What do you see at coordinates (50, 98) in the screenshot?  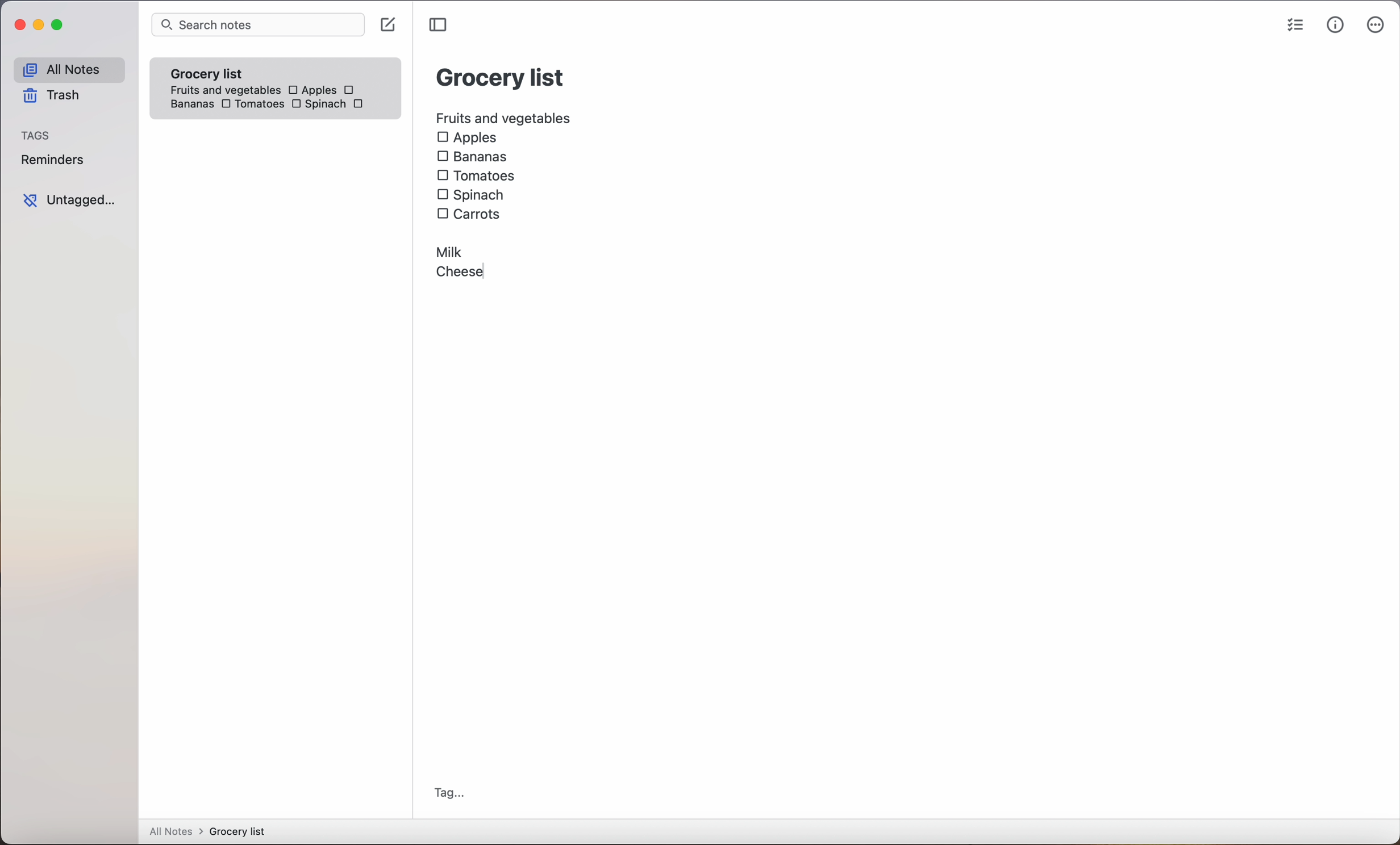 I see `trash` at bounding box center [50, 98].